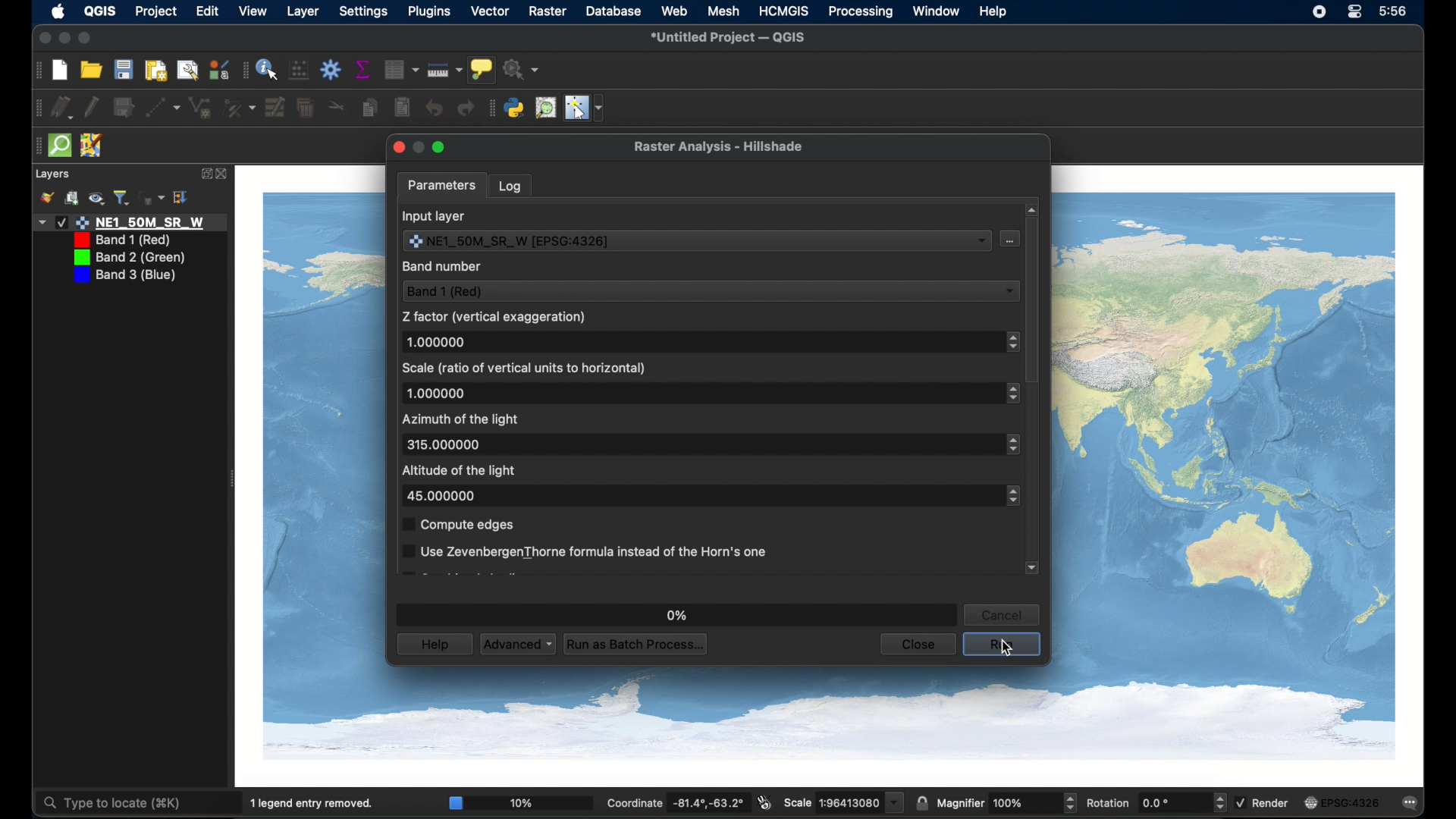 The width and height of the screenshot is (1456, 819). What do you see at coordinates (155, 70) in the screenshot?
I see `open print layout` at bounding box center [155, 70].